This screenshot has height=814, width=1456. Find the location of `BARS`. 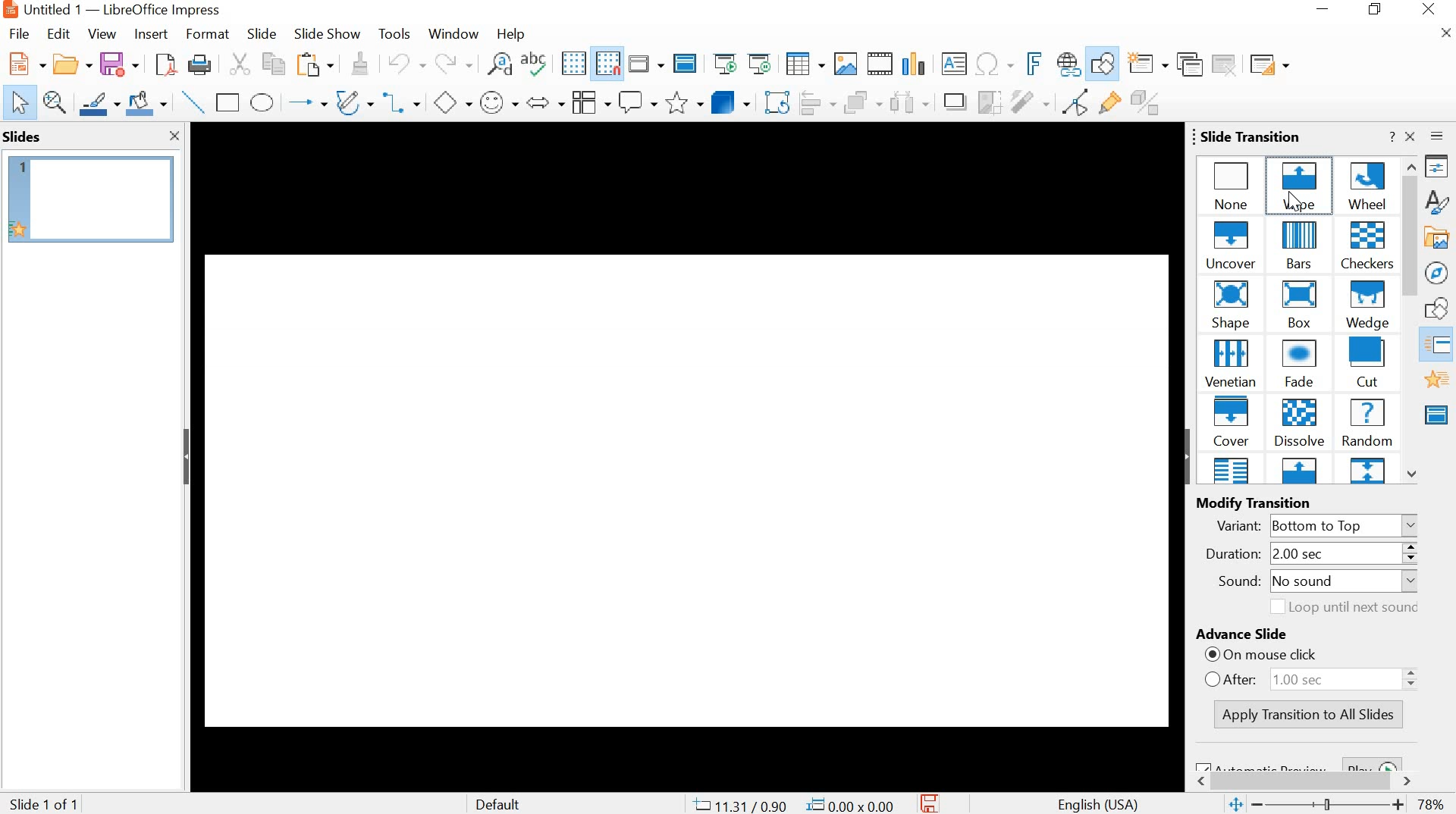

BARS is located at coordinates (1301, 246).